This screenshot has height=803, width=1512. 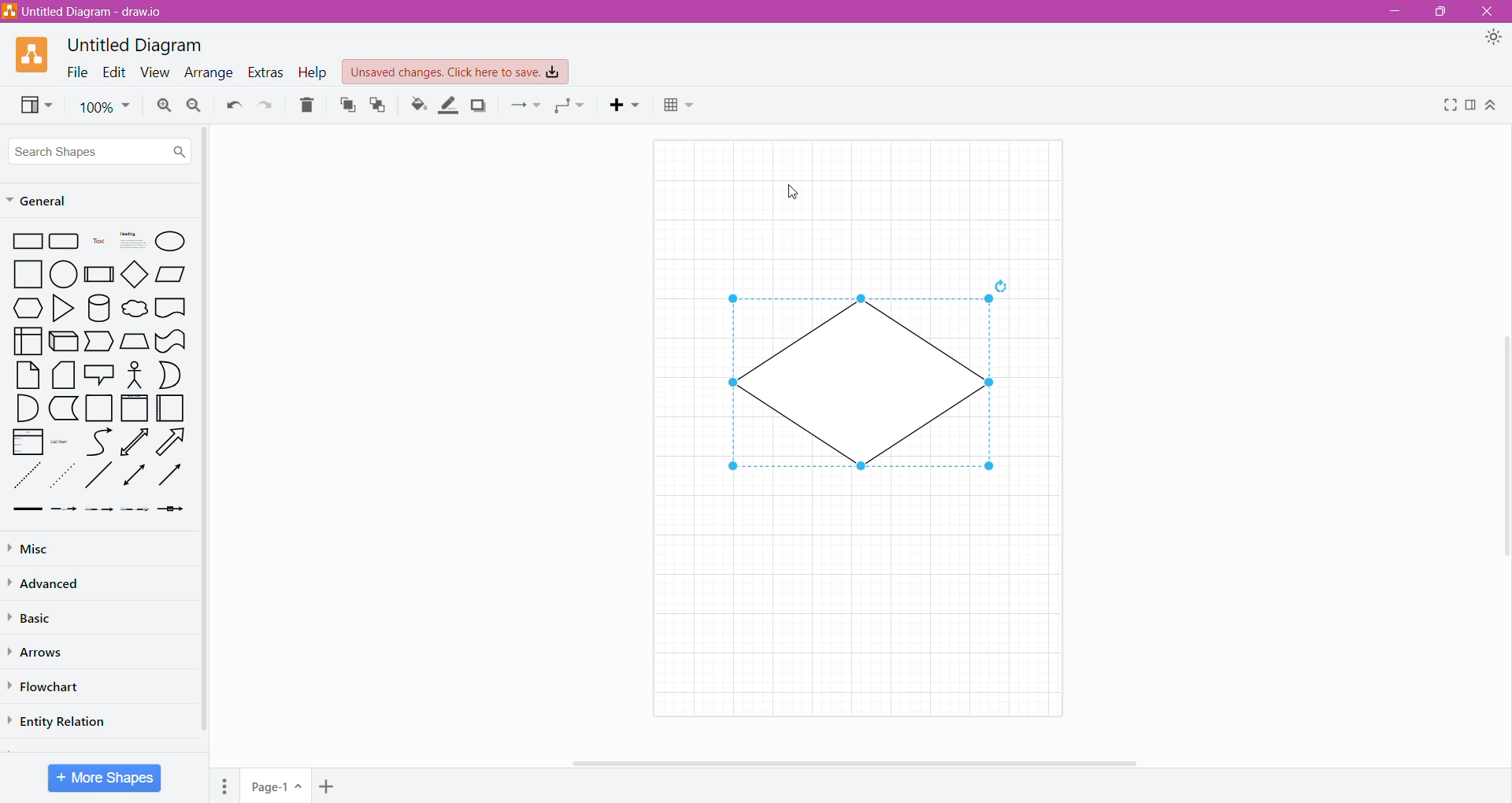 I want to click on Arrange, so click(x=207, y=74).